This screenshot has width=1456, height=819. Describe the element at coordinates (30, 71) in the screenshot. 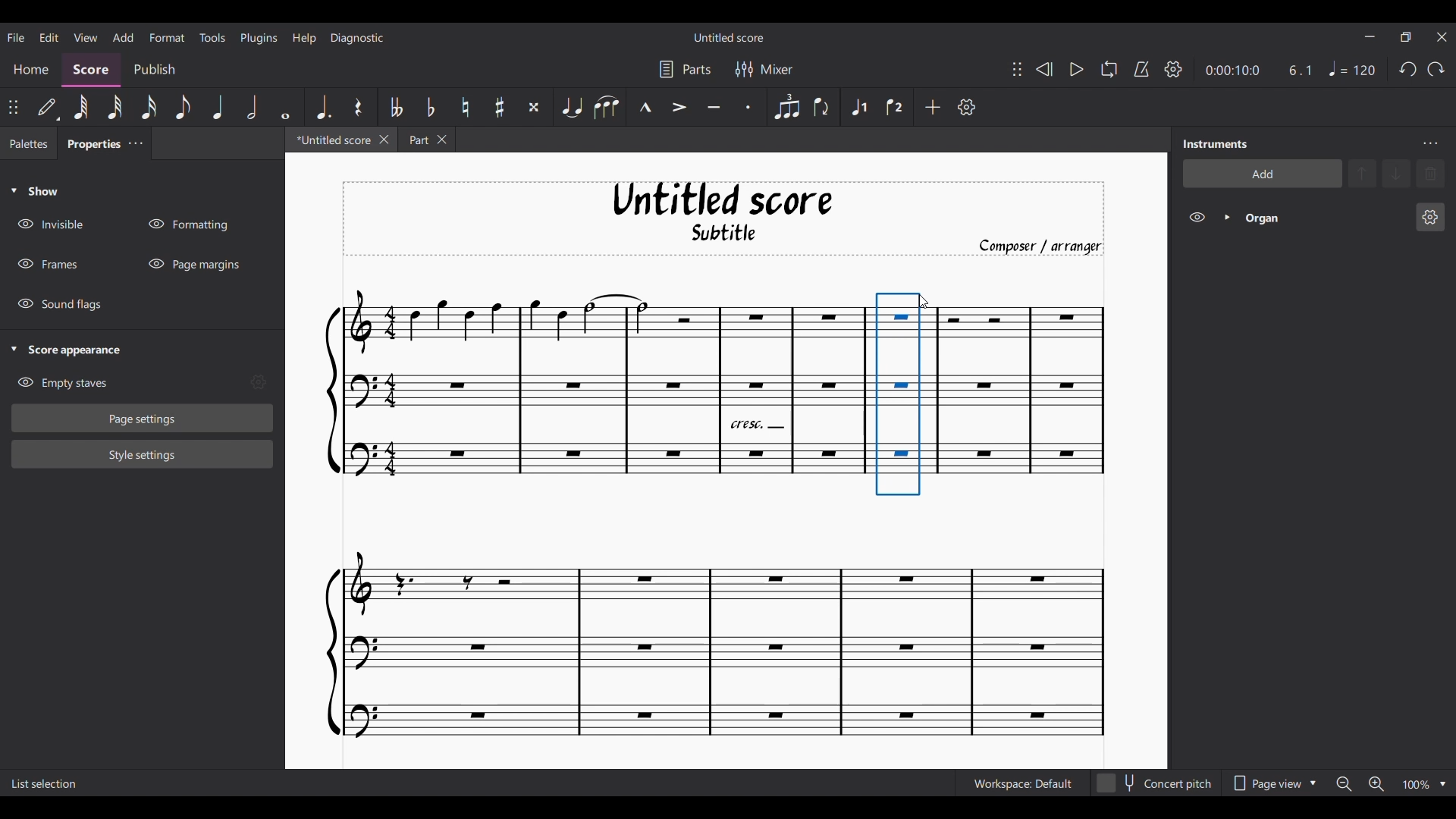

I see `Home section` at that location.